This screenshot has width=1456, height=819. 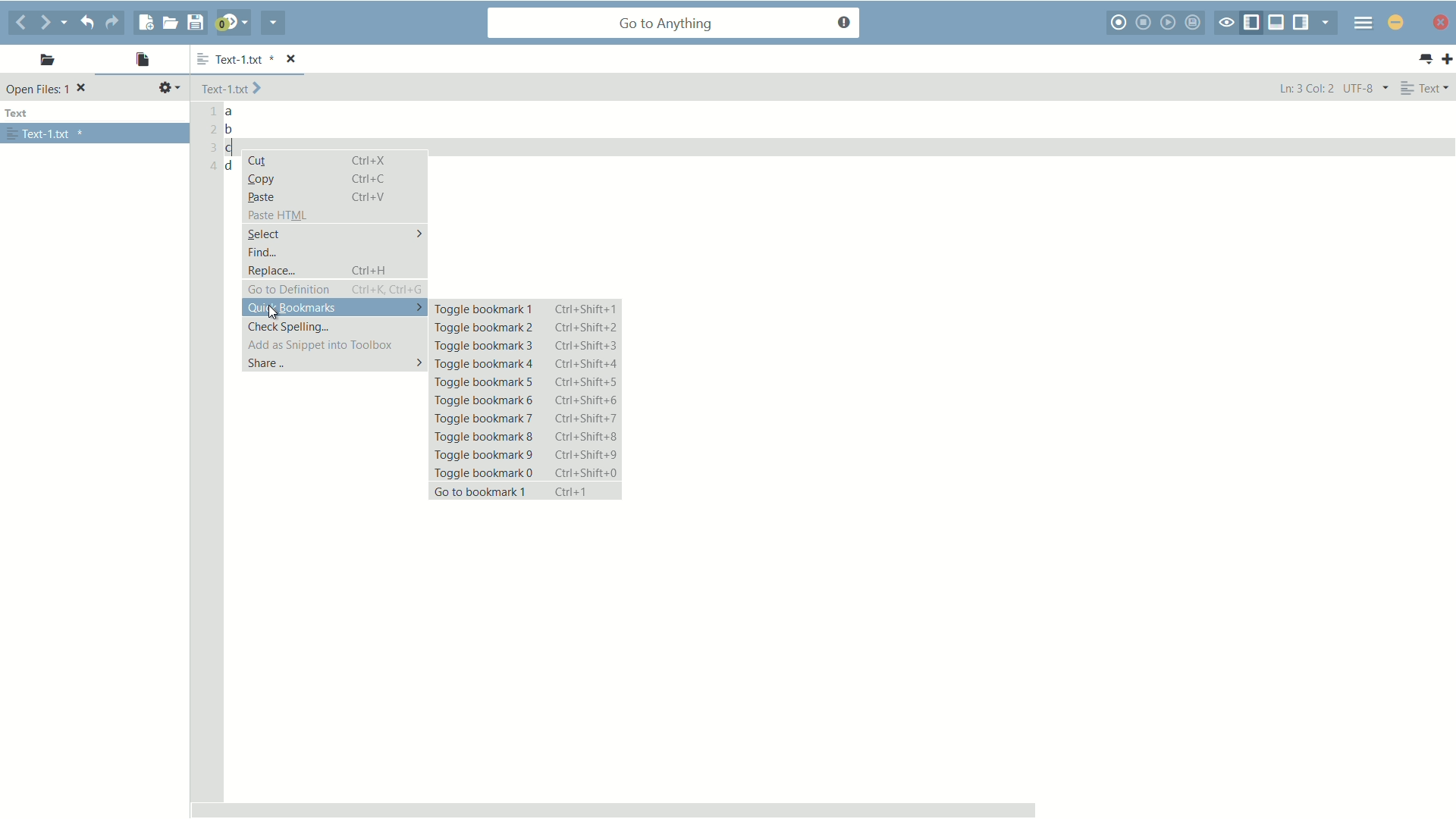 What do you see at coordinates (334, 364) in the screenshot?
I see `share..` at bounding box center [334, 364].